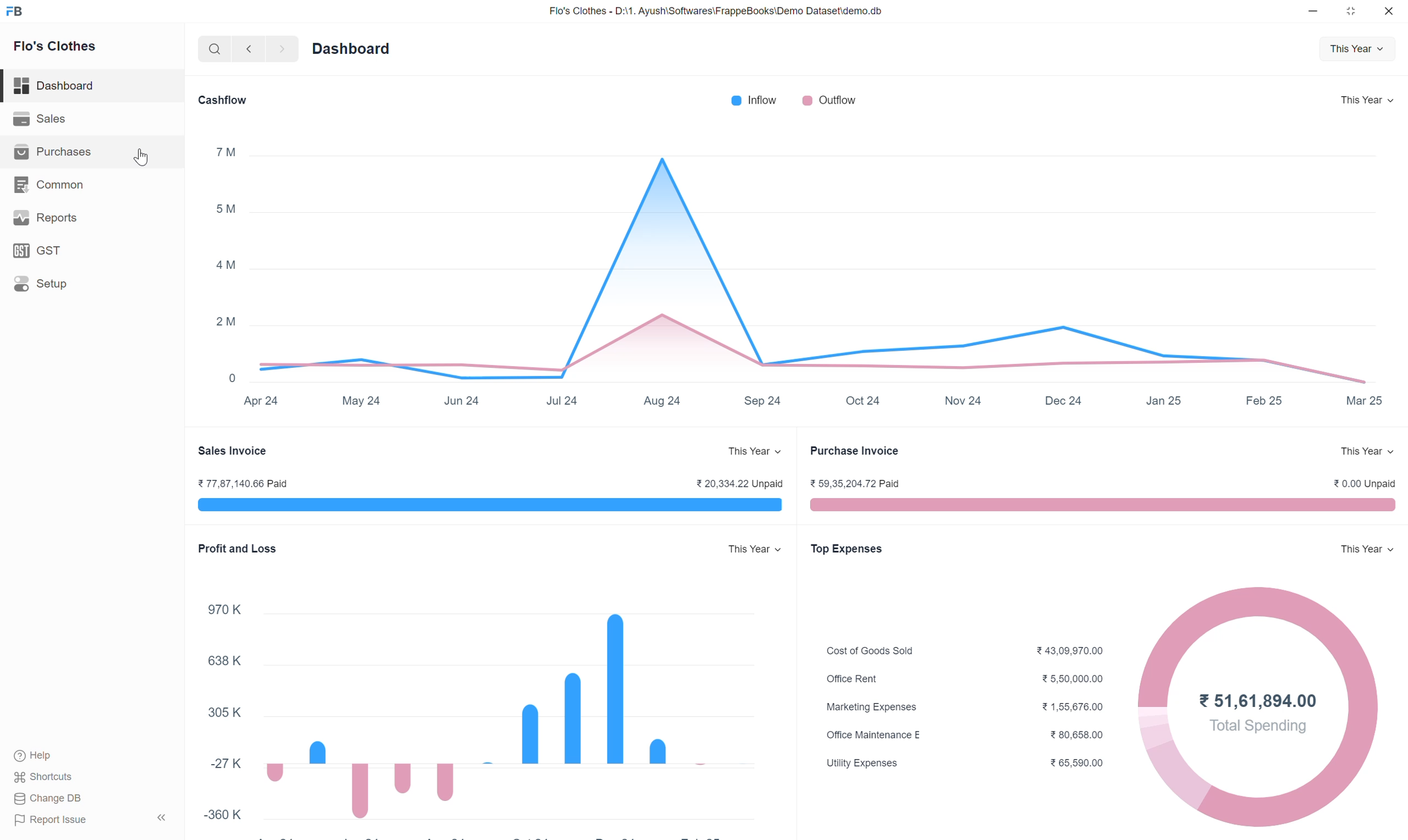 Image resolution: width=1408 pixels, height=840 pixels. Describe the element at coordinates (848, 550) in the screenshot. I see `Top Expenses` at that location.